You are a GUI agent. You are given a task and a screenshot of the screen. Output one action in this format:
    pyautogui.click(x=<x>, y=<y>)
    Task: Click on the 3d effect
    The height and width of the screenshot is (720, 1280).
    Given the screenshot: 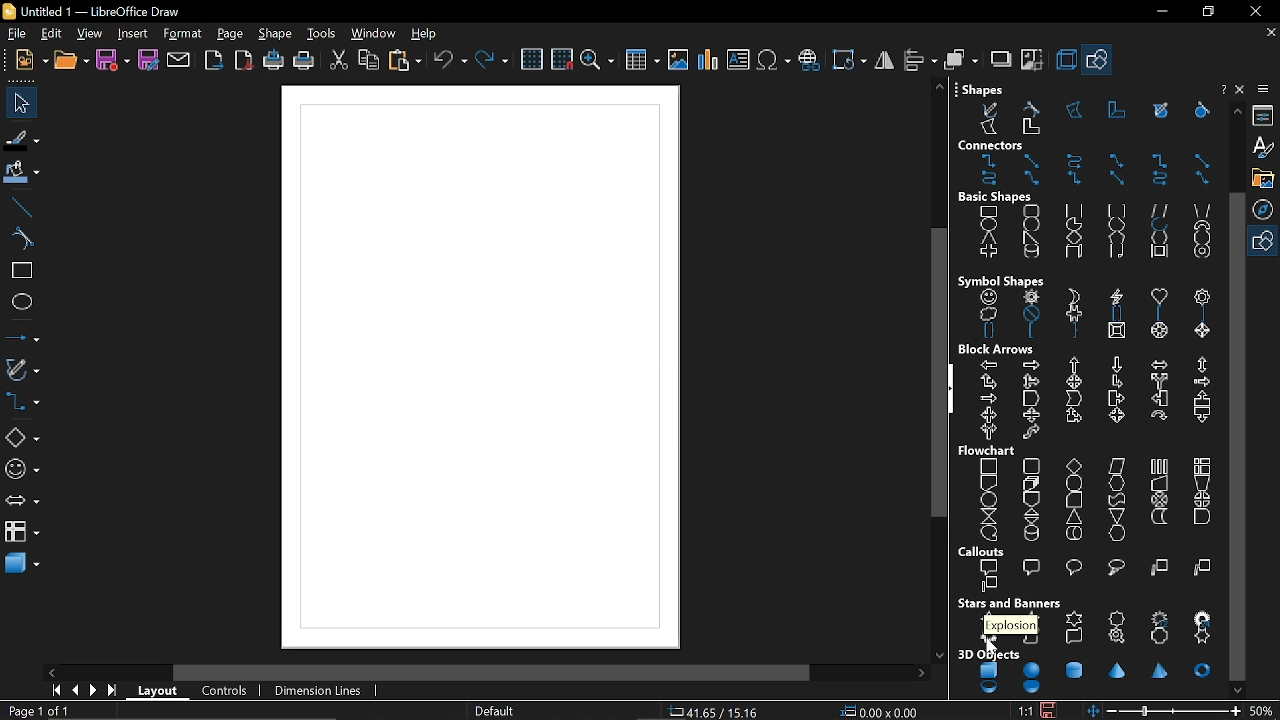 What is the action you would take?
    pyautogui.click(x=1065, y=60)
    